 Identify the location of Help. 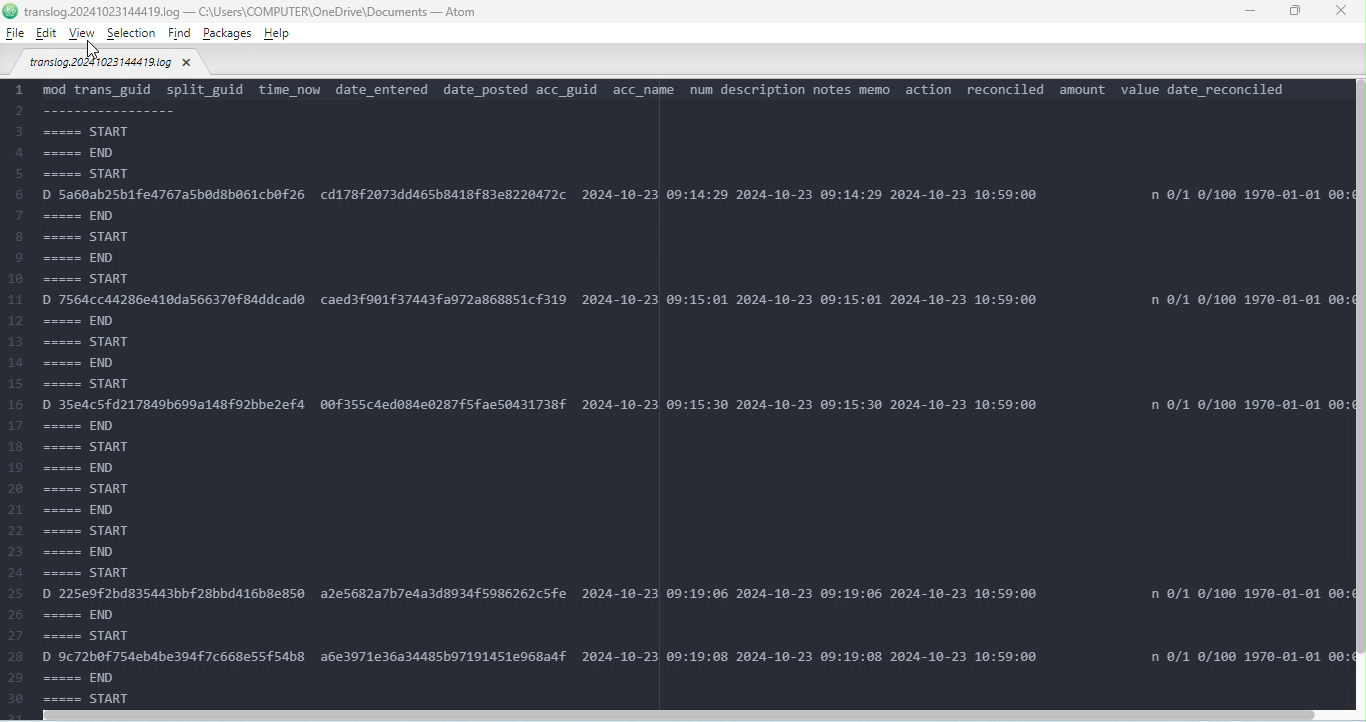
(276, 33).